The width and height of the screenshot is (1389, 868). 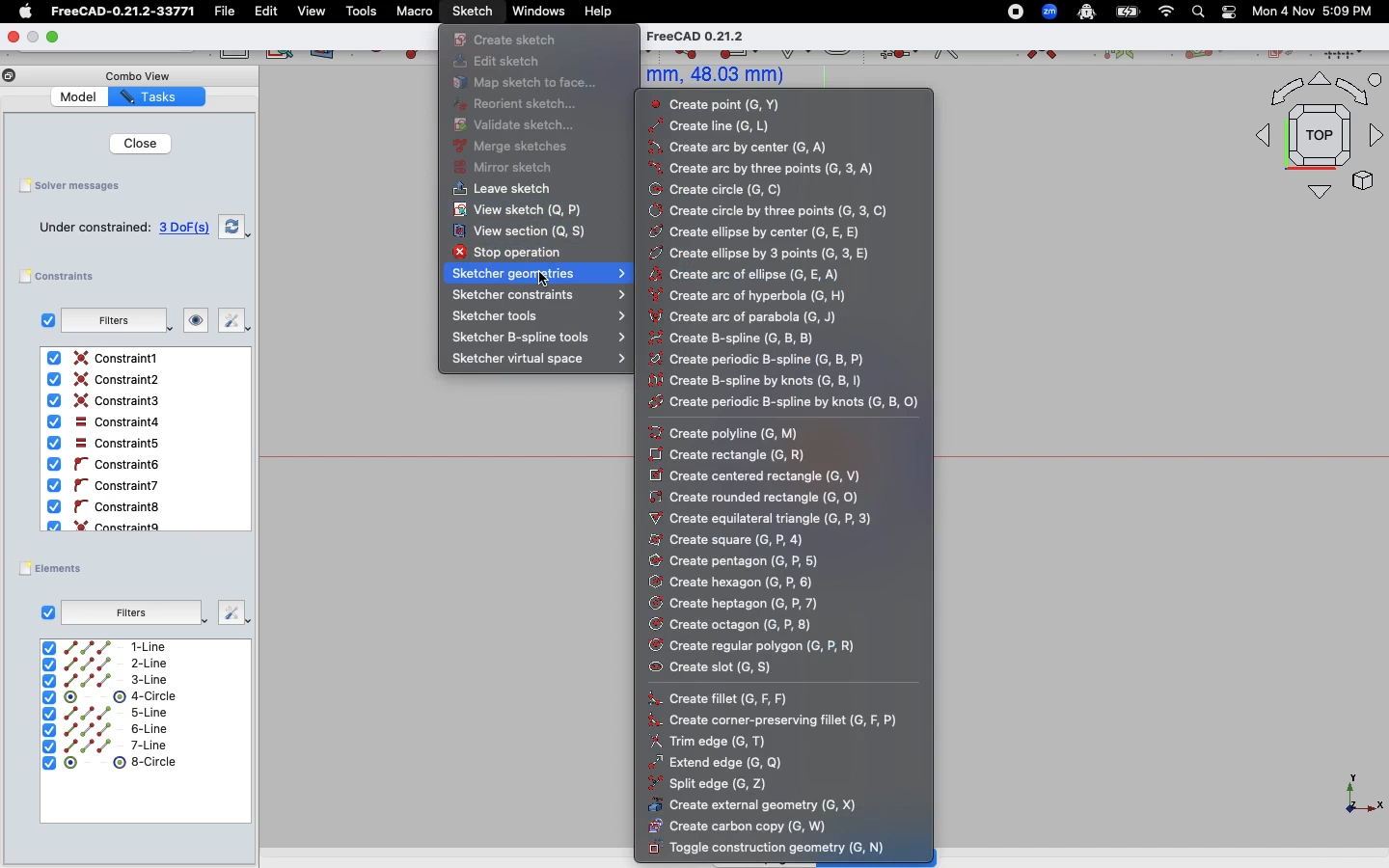 I want to click on Filters, so click(x=133, y=610).